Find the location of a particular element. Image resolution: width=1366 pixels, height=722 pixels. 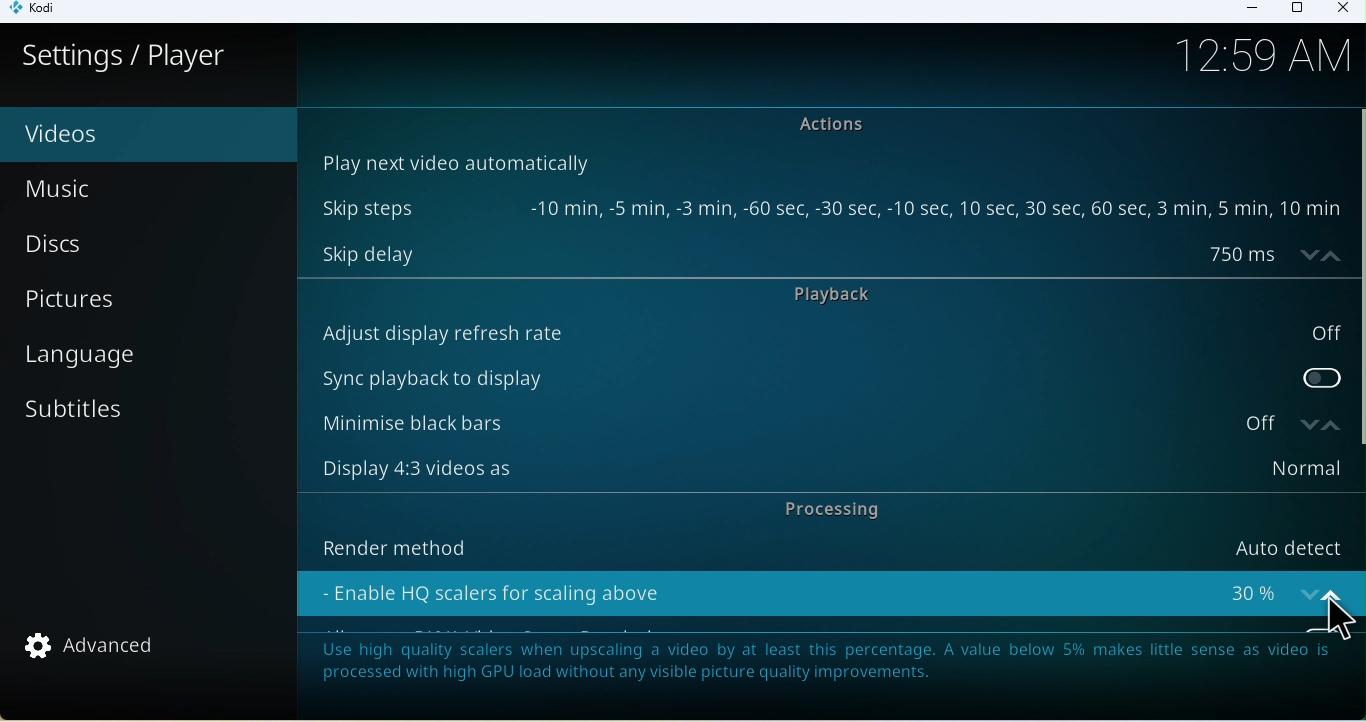

Close is located at coordinates (1341, 10).